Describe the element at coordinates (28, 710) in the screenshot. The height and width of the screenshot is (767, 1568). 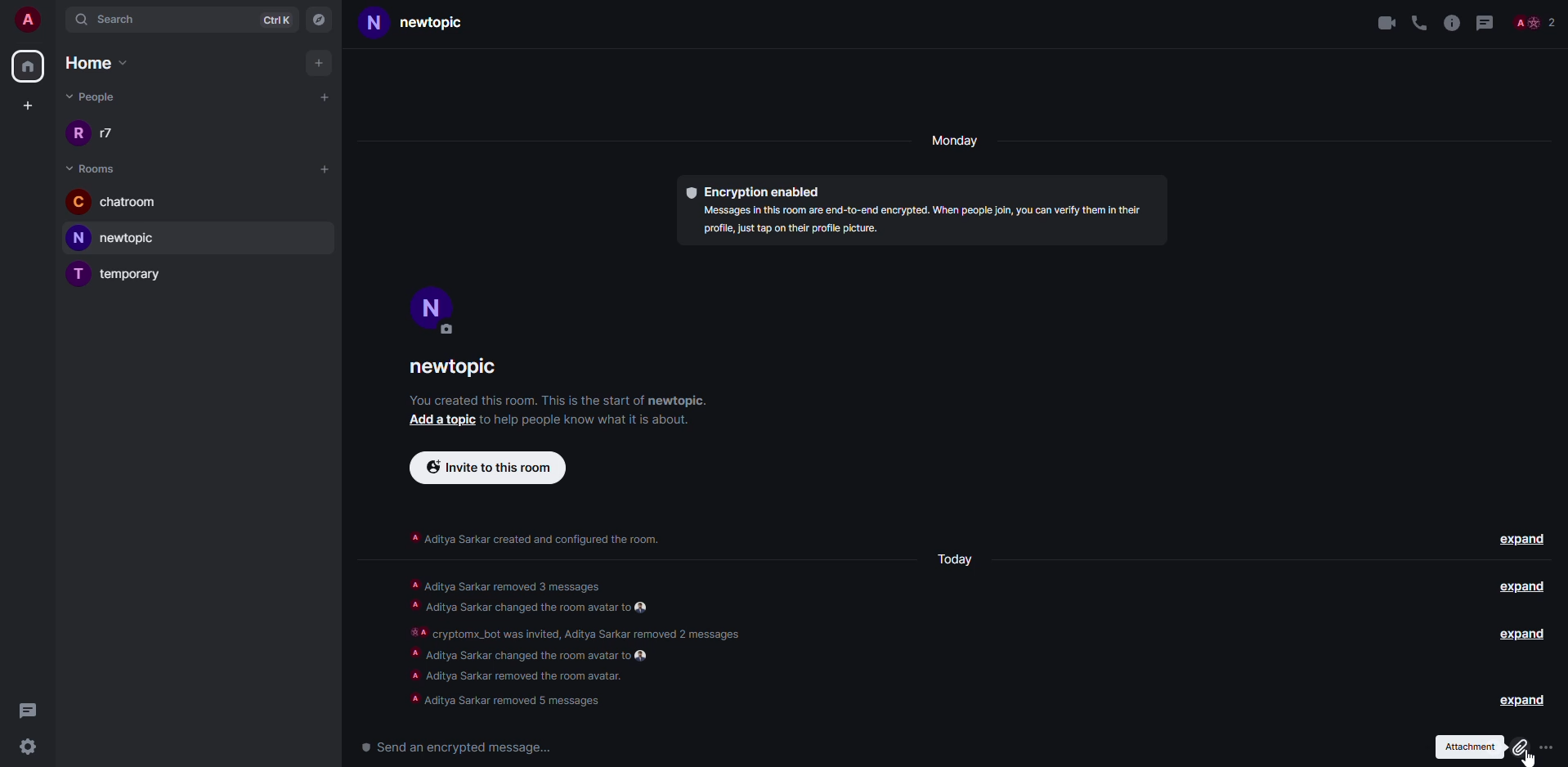
I see `threads` at that location.